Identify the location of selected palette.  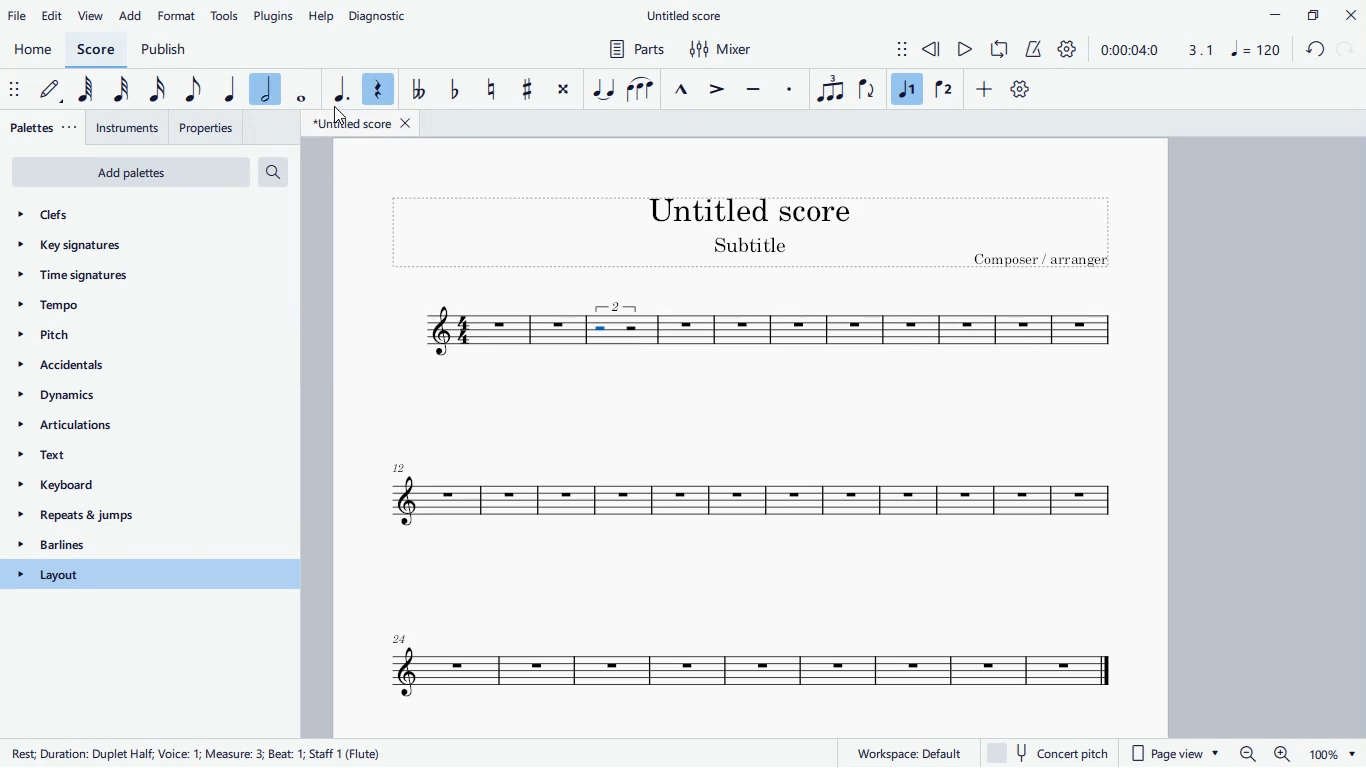
(151, 574).